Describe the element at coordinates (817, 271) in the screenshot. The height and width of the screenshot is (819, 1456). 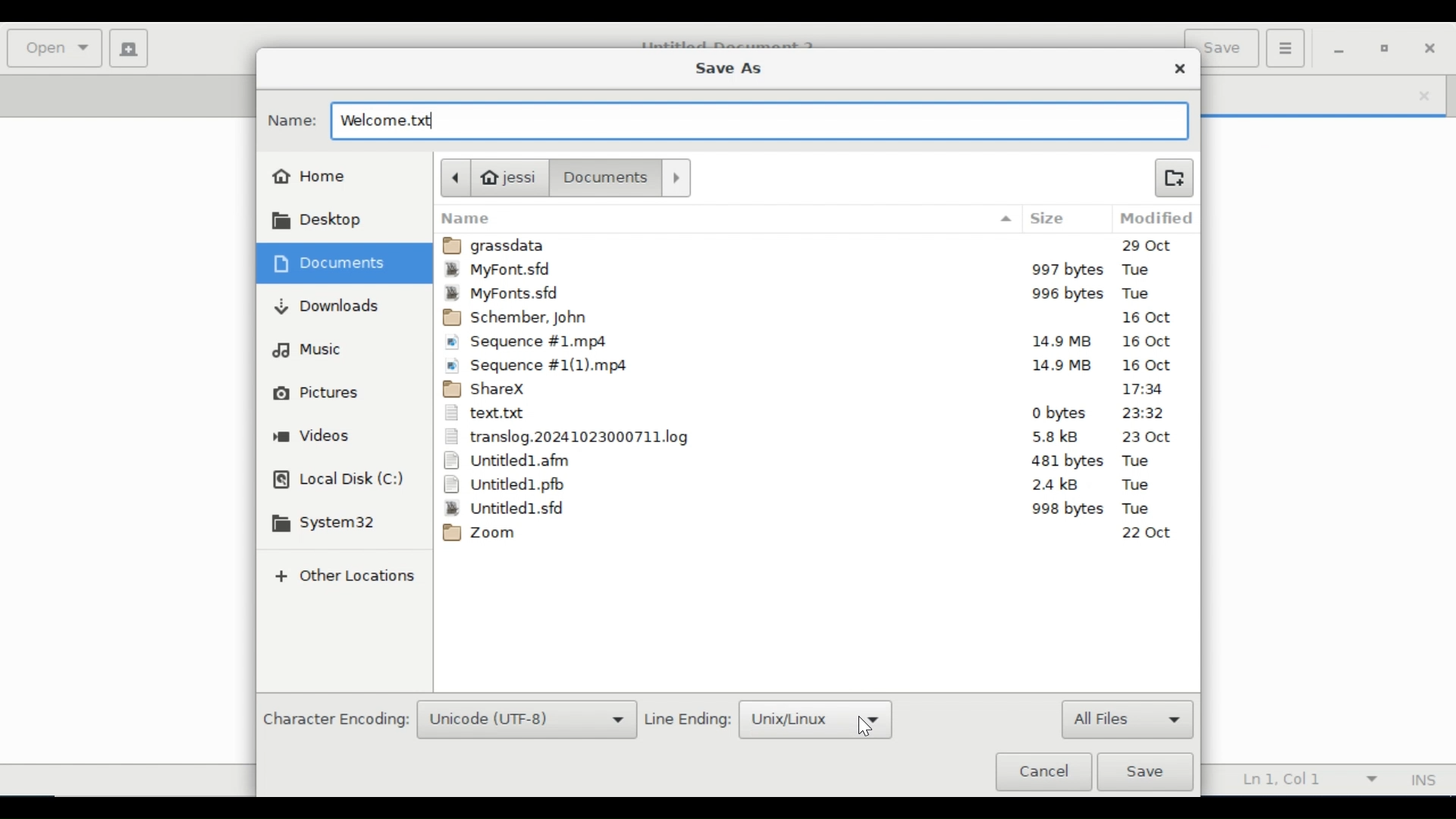
I see `MyFont.sfd 997bytes Tue` at that location.